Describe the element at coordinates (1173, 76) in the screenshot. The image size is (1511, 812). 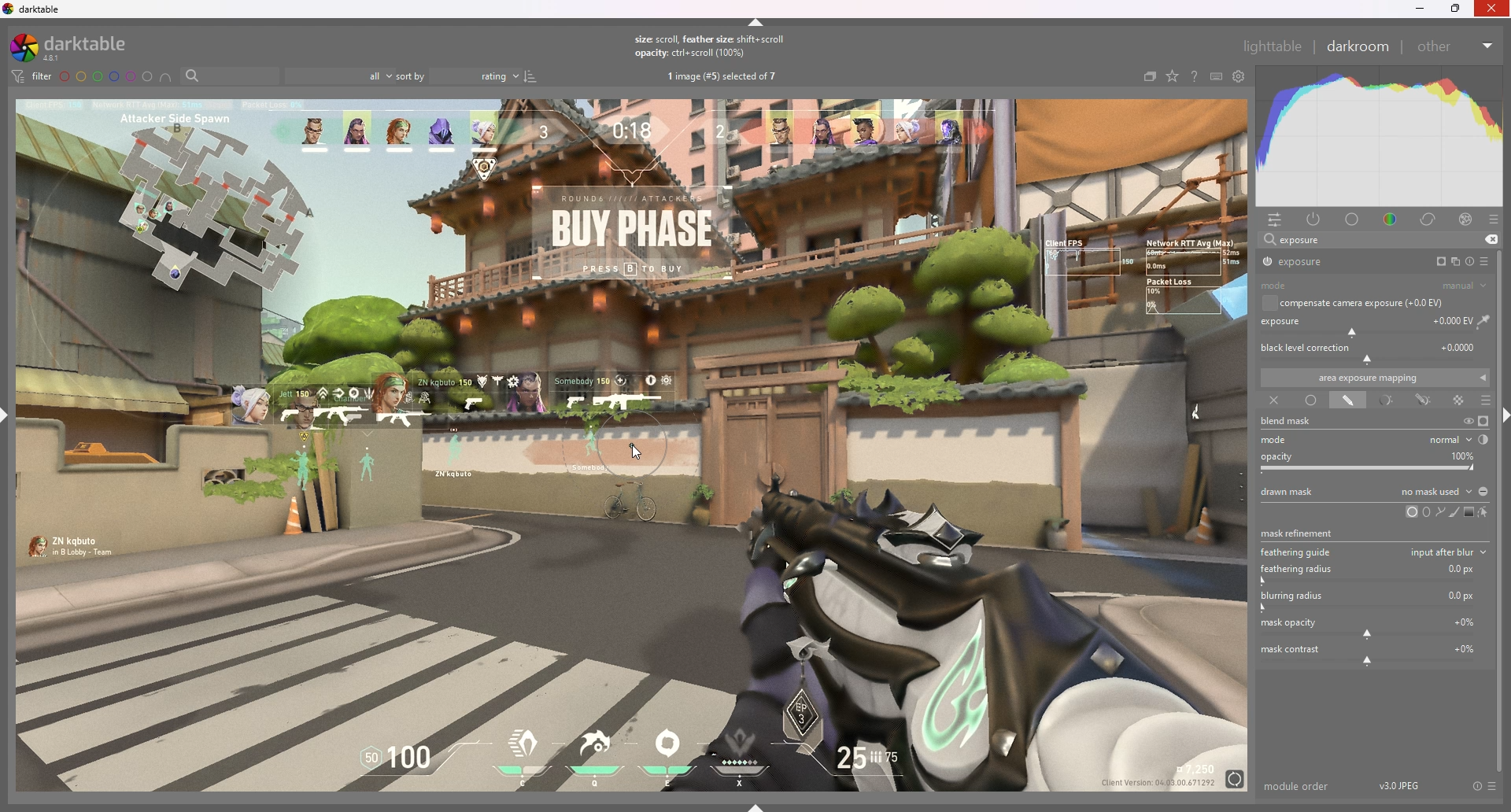
I see `change type of overlays` at that location.